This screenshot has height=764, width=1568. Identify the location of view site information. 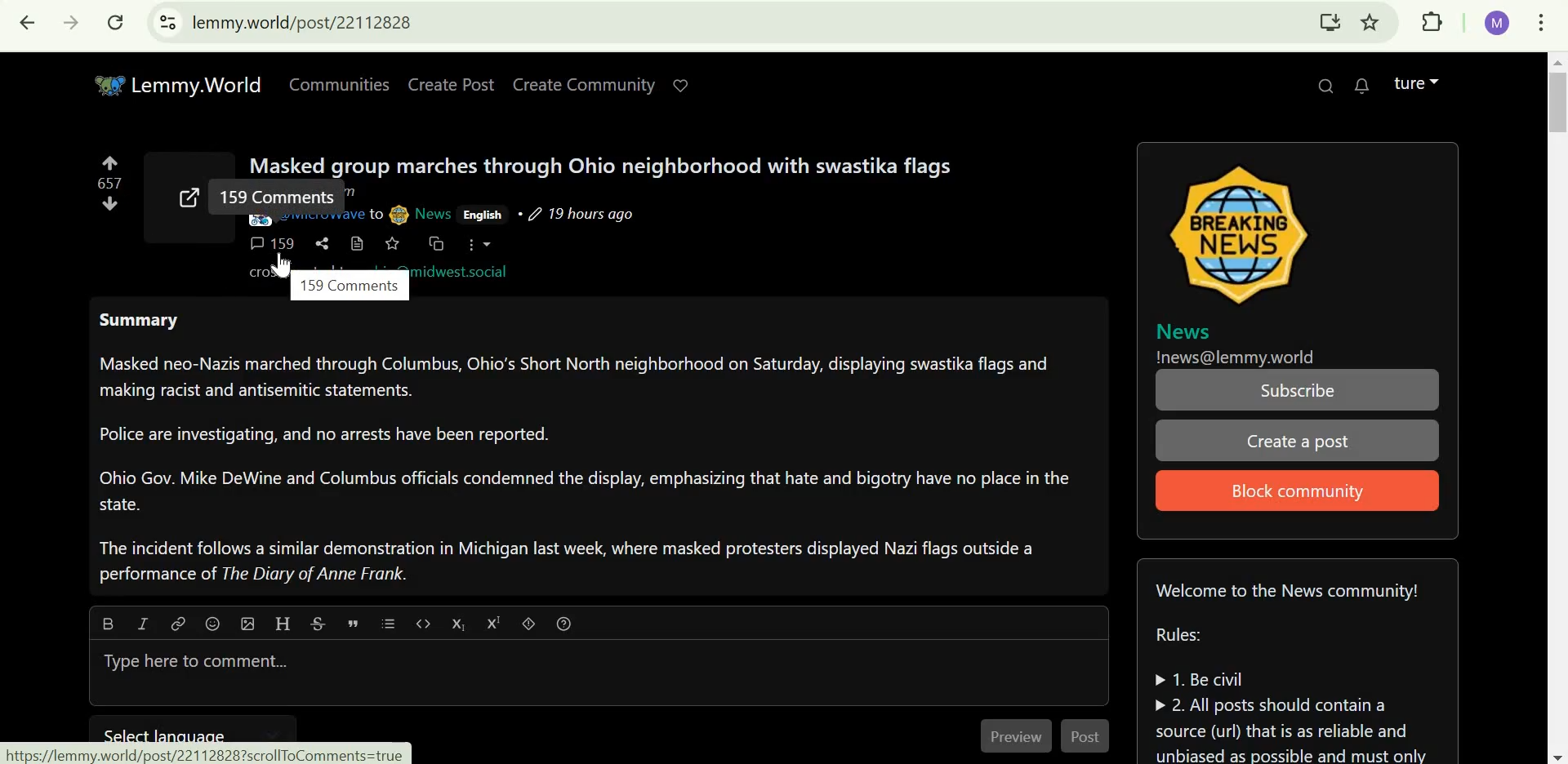
(167, 22).